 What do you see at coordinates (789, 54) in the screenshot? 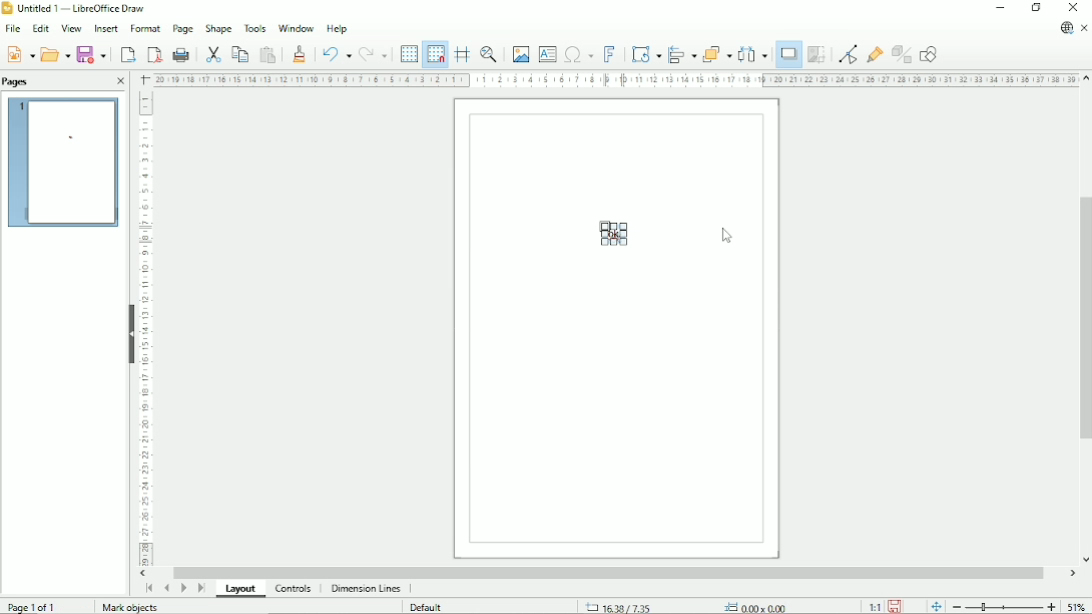
I see `Shadow` at bounding box center [789, 54].